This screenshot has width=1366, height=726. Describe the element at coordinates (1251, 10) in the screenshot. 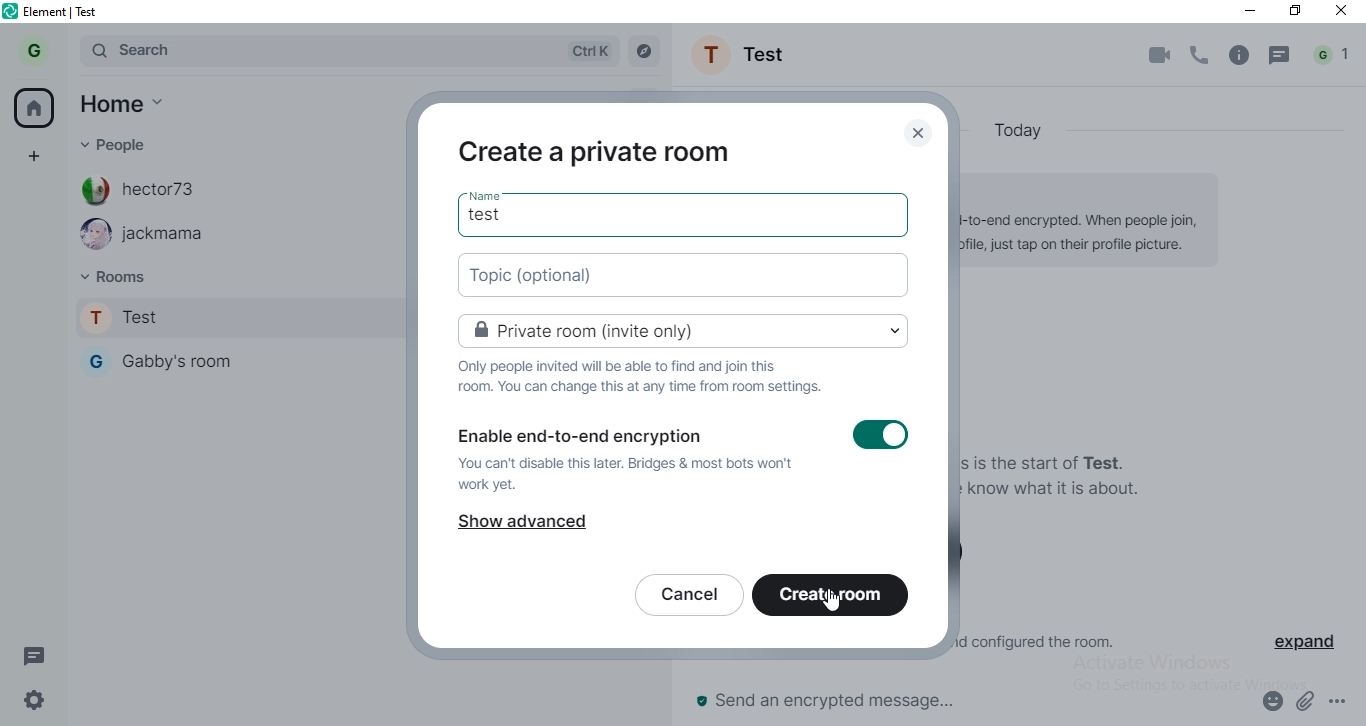

I see `minimise` at that location.